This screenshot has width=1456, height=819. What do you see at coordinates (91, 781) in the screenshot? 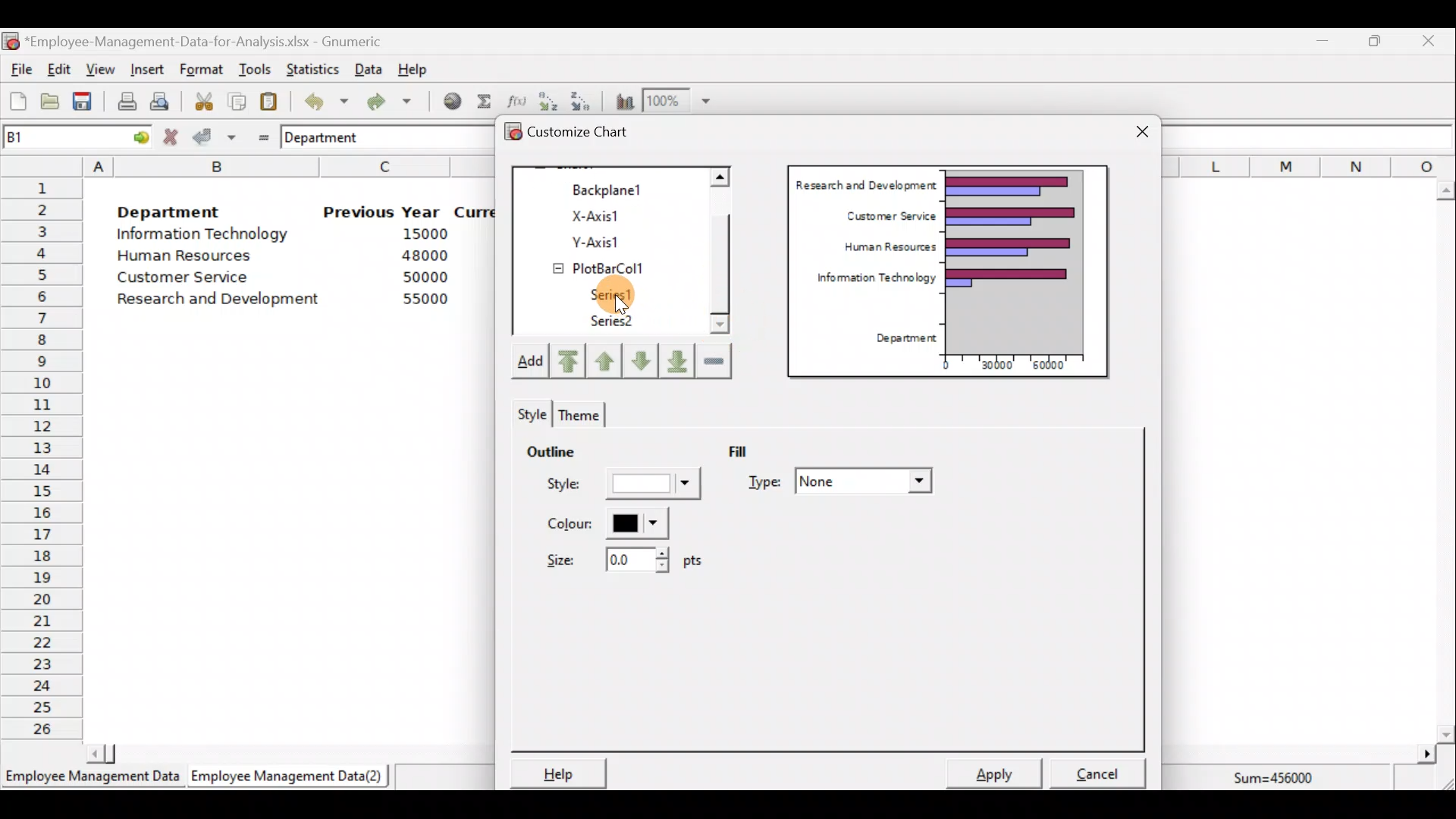
I see `Employee Management Data` at bounding box center [91, 781].